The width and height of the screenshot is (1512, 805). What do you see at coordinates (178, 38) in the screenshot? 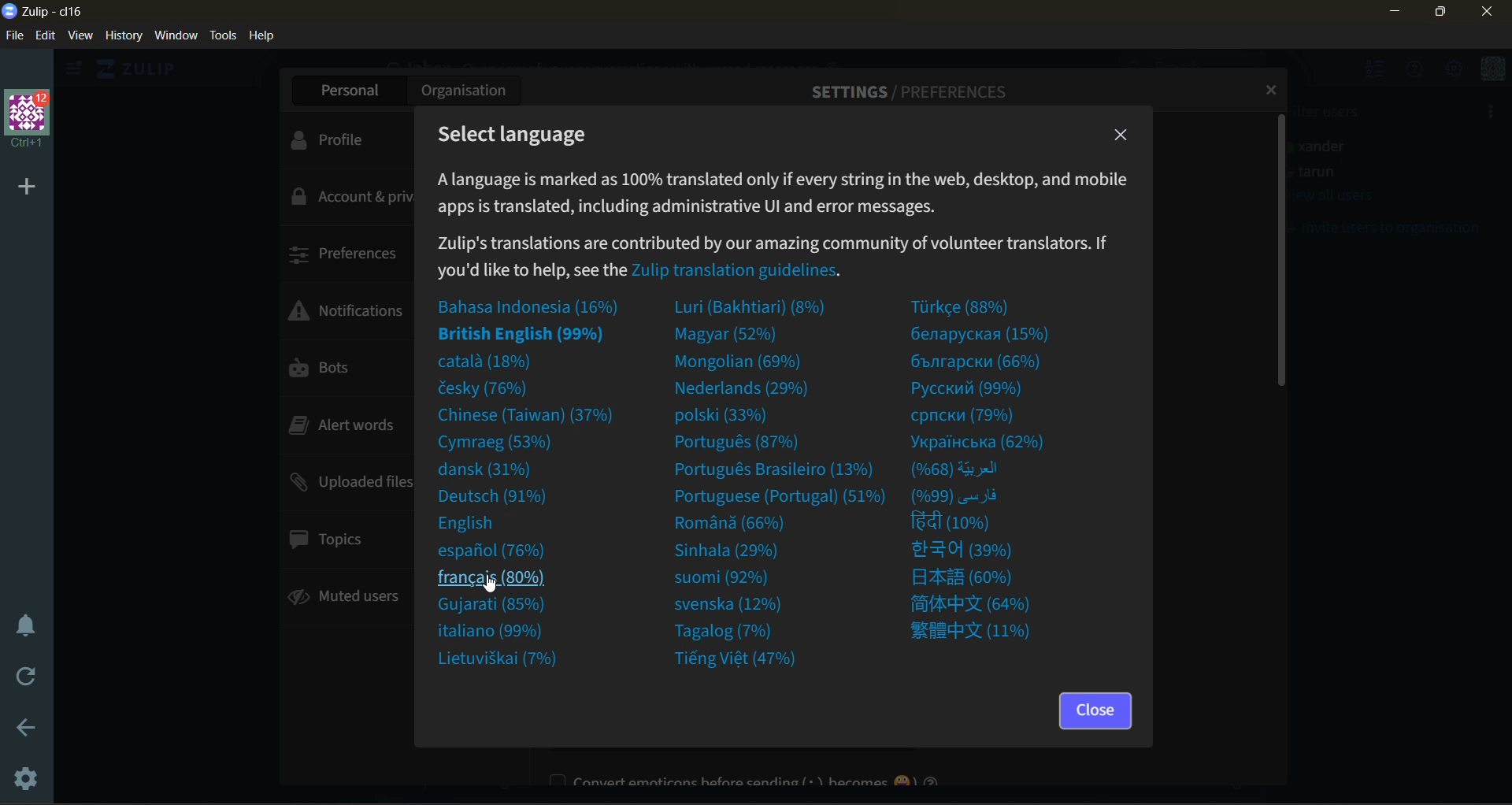
I see `window` at bounding box center [178, 38].